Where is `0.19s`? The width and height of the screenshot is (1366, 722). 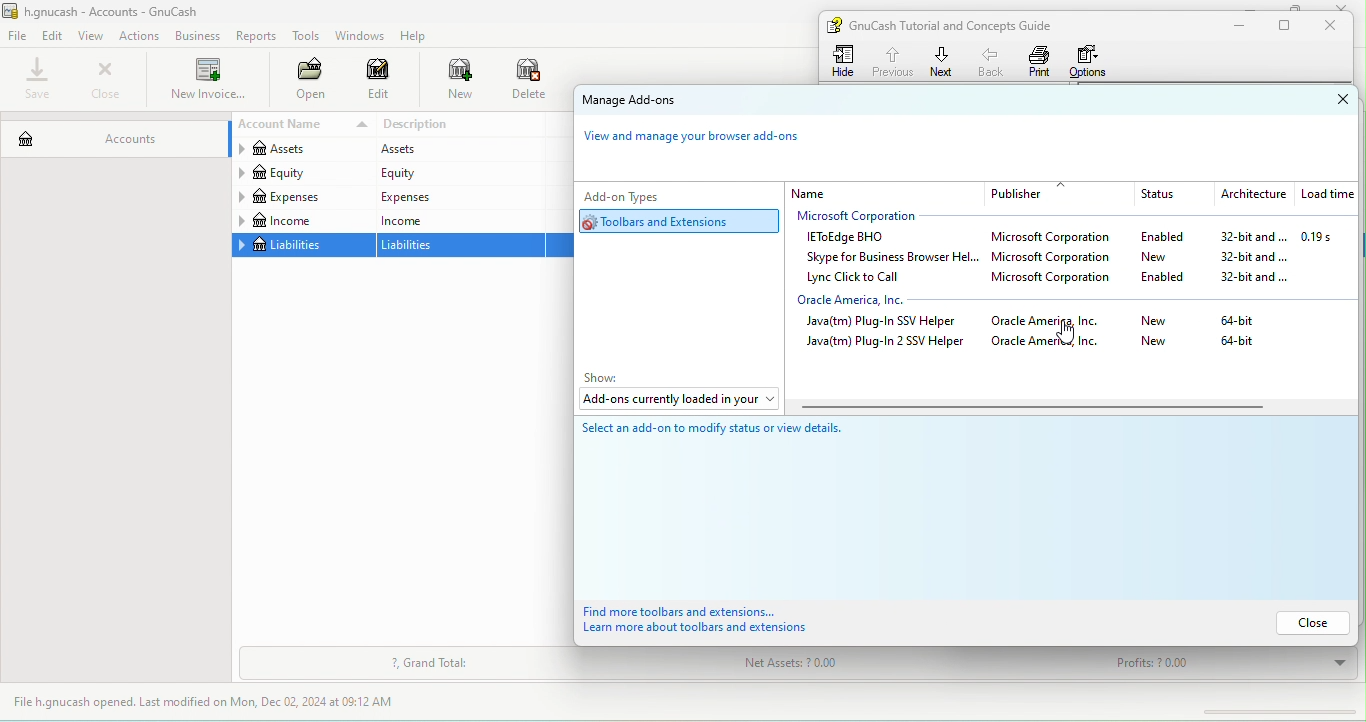 0.19s is located at coordinates (1328, 237).